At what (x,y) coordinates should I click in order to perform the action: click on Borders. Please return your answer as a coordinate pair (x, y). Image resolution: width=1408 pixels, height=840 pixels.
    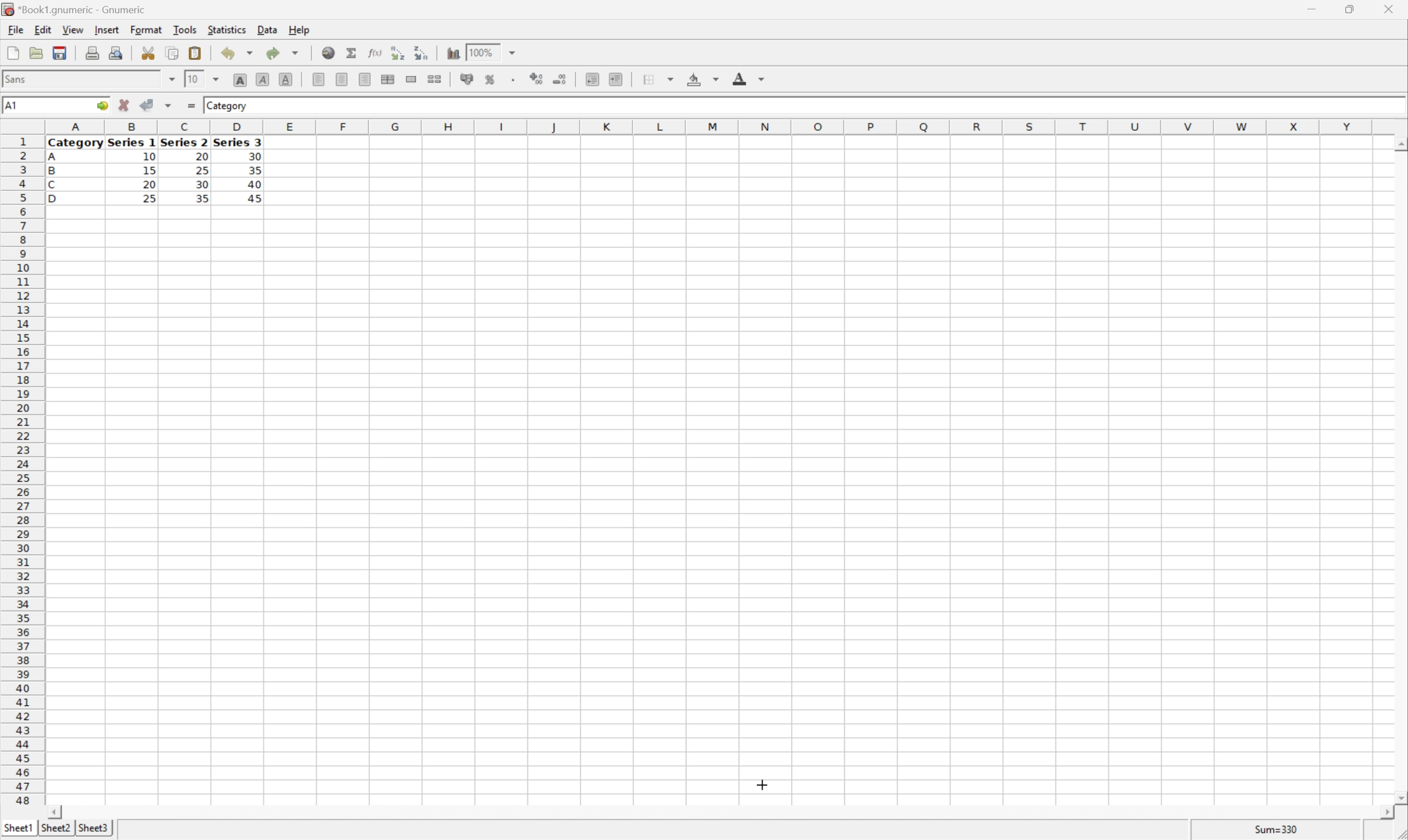
    Looking at the image, I should click on (661, 78).